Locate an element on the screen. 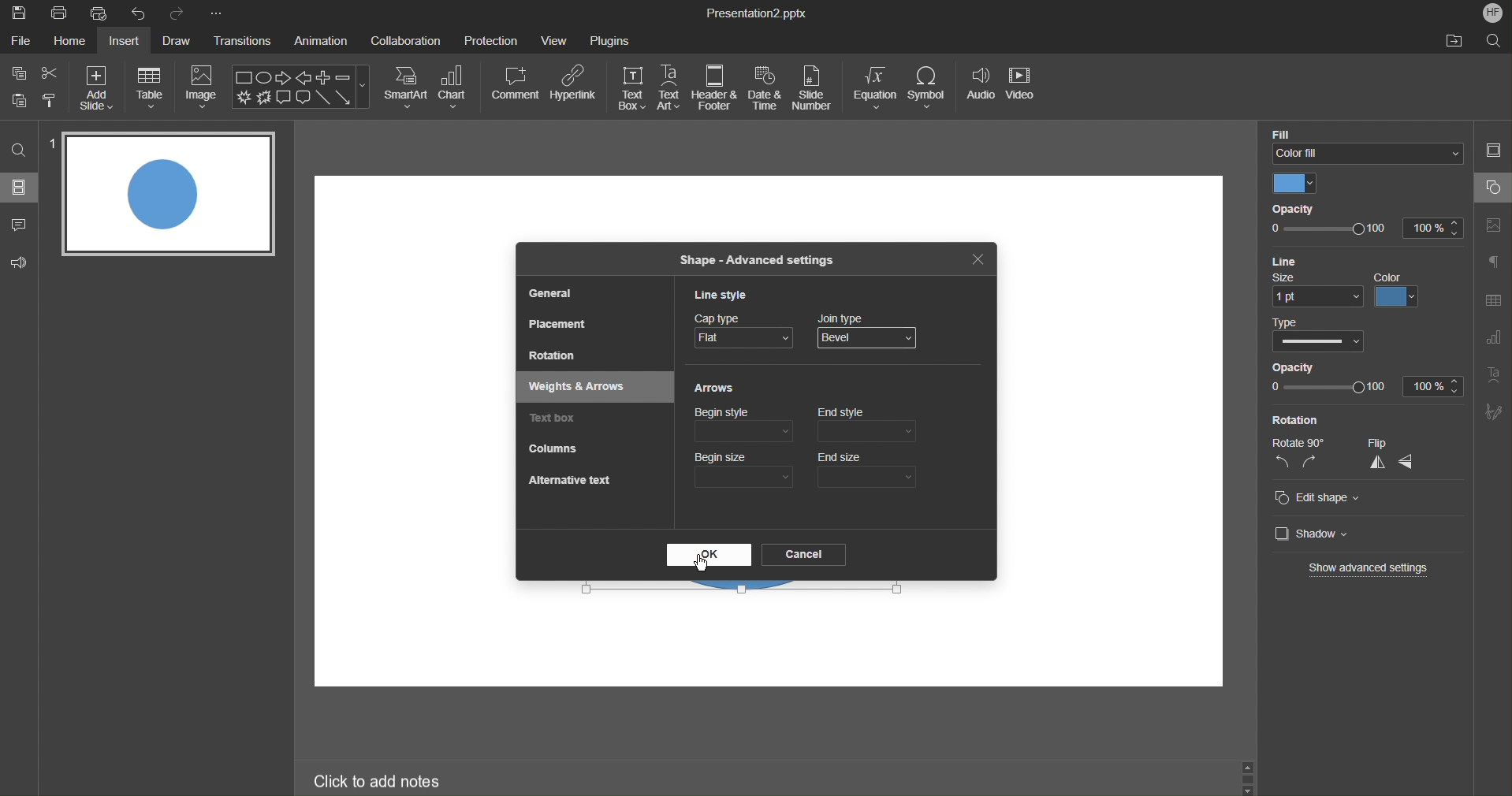 This screenshot has width=1512, height=796. workspace is located at coordinates (1110, 400).